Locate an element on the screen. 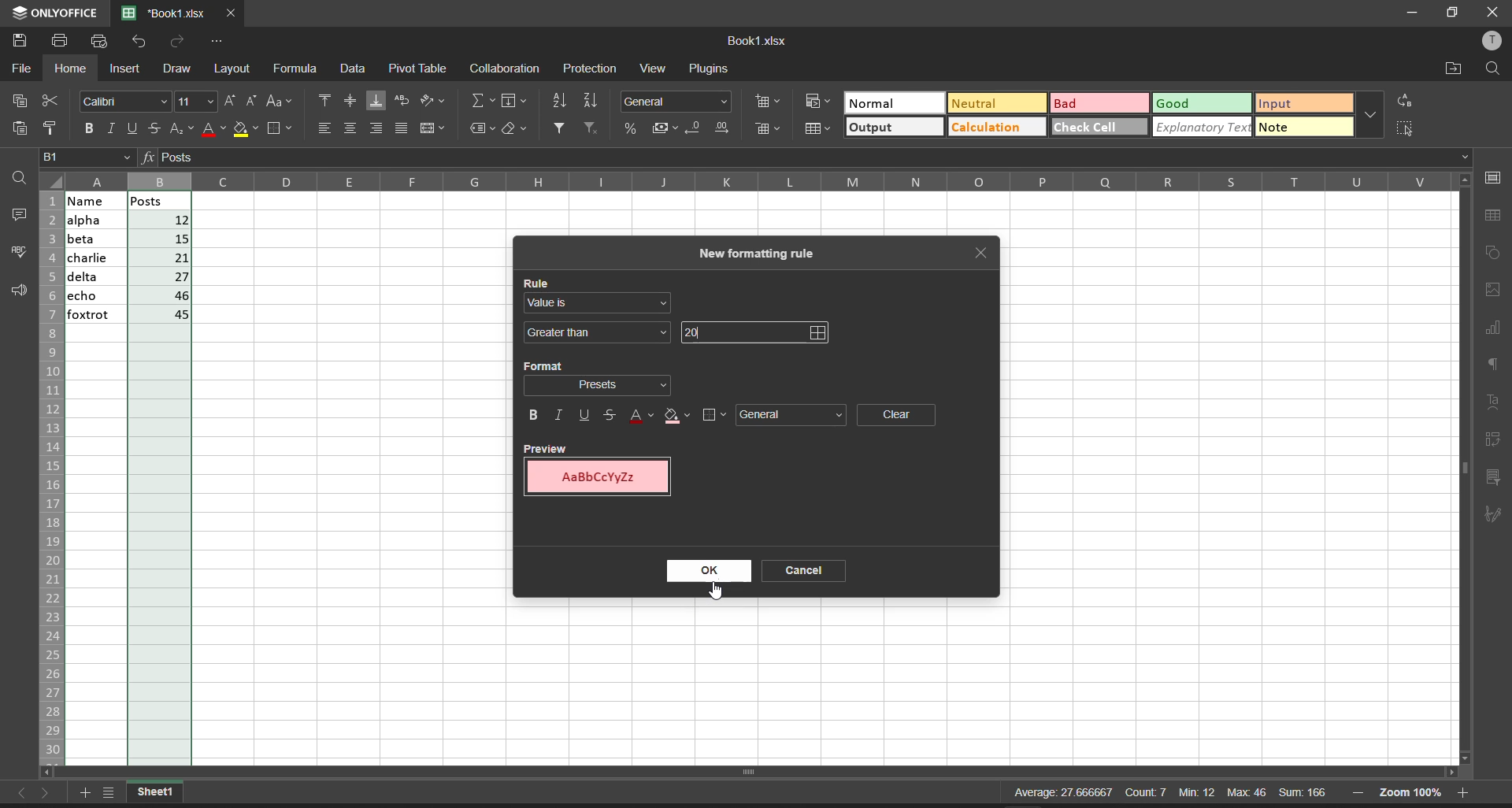 This screenshot has height=808, width=1512. sort ascending is located at coordinates (559, 101).